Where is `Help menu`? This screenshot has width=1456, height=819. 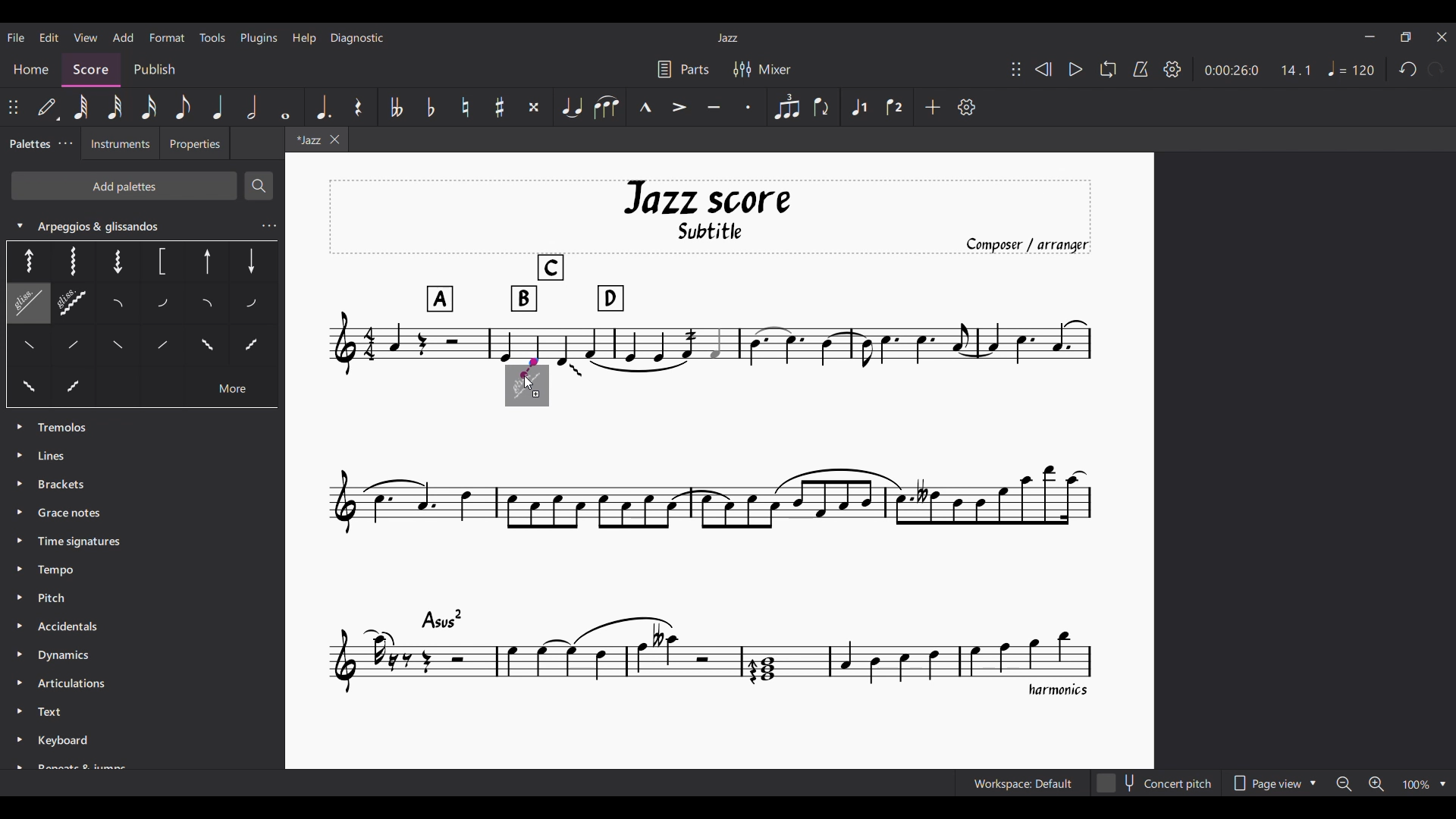 Help menu is located at coordinates (305, 38).